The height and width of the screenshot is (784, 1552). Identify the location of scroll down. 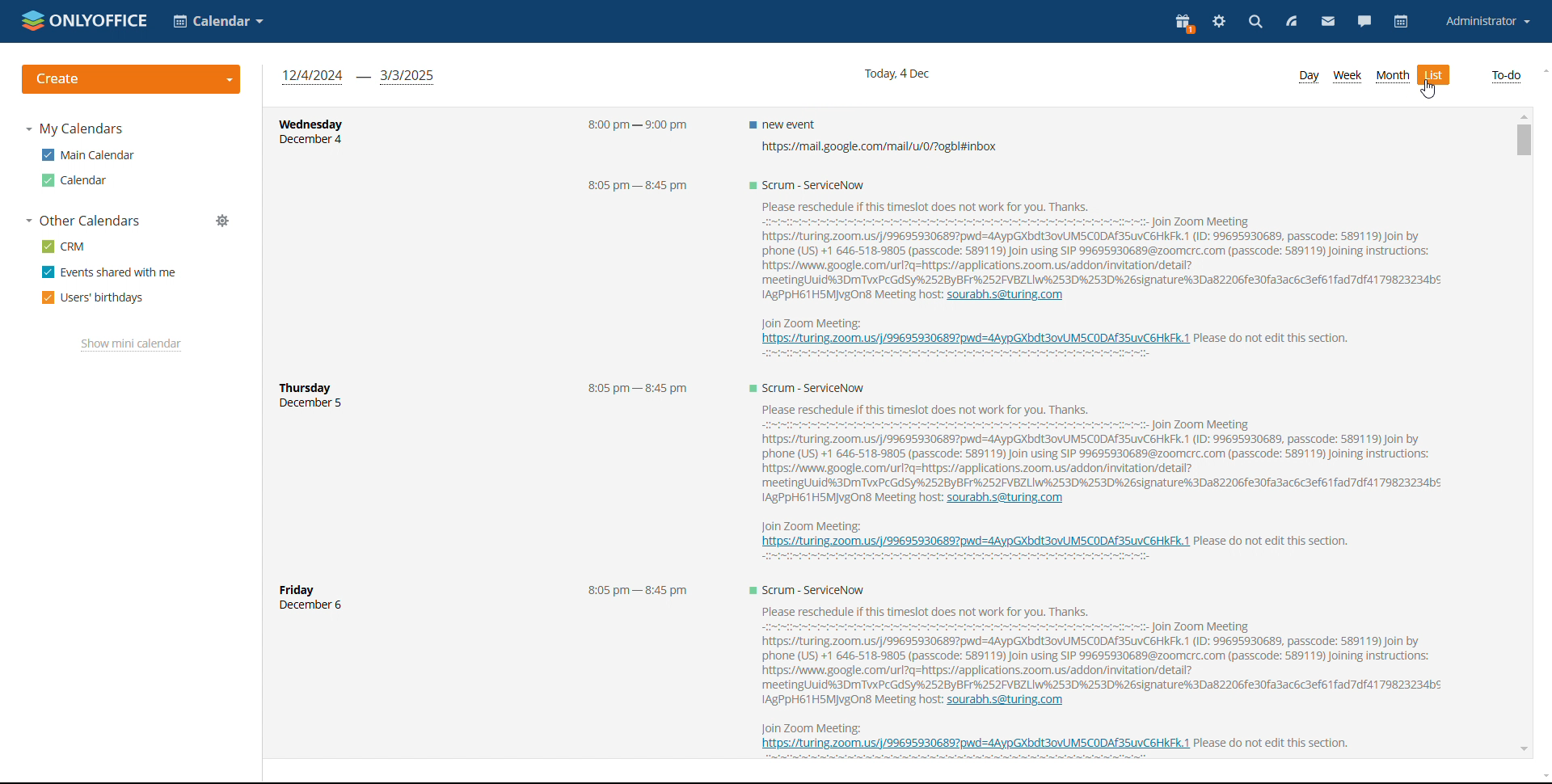
(1523, 751).